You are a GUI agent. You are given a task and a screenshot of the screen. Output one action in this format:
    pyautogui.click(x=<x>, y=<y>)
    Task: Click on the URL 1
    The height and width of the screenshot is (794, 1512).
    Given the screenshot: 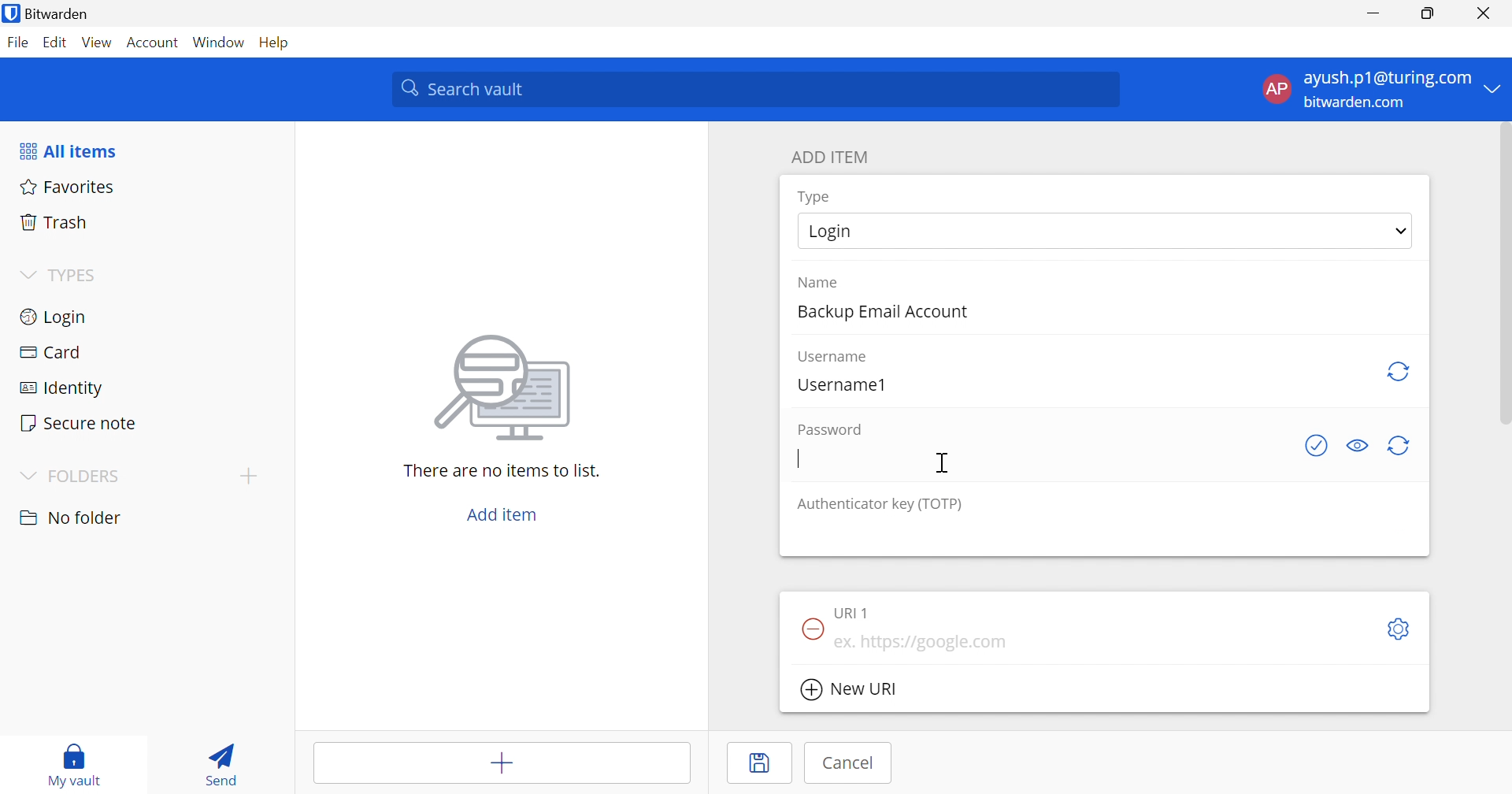 What is the action you would take?
    pyautogui.click(x=853, y=613)
    